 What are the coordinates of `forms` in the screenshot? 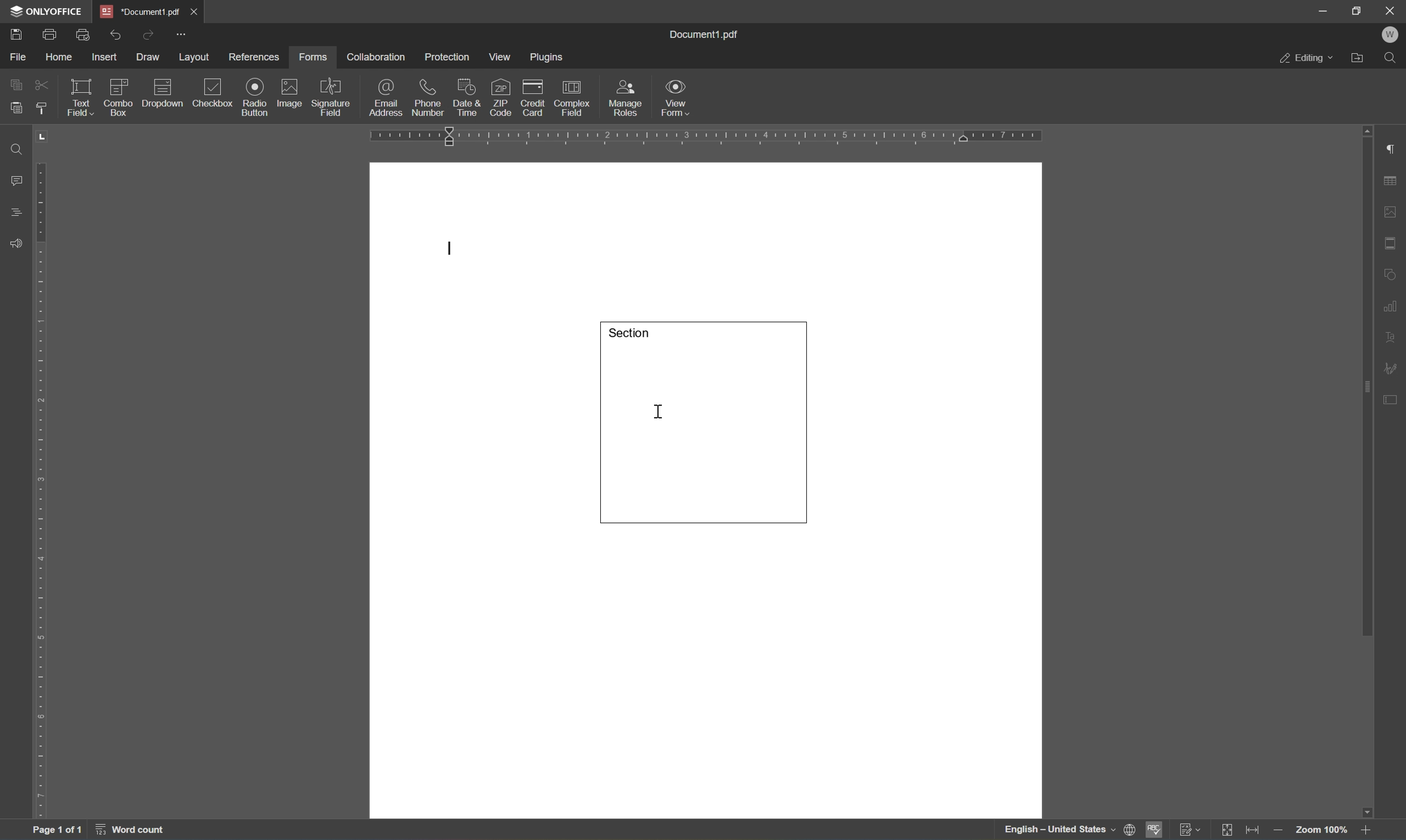 It's located at (317, 56).